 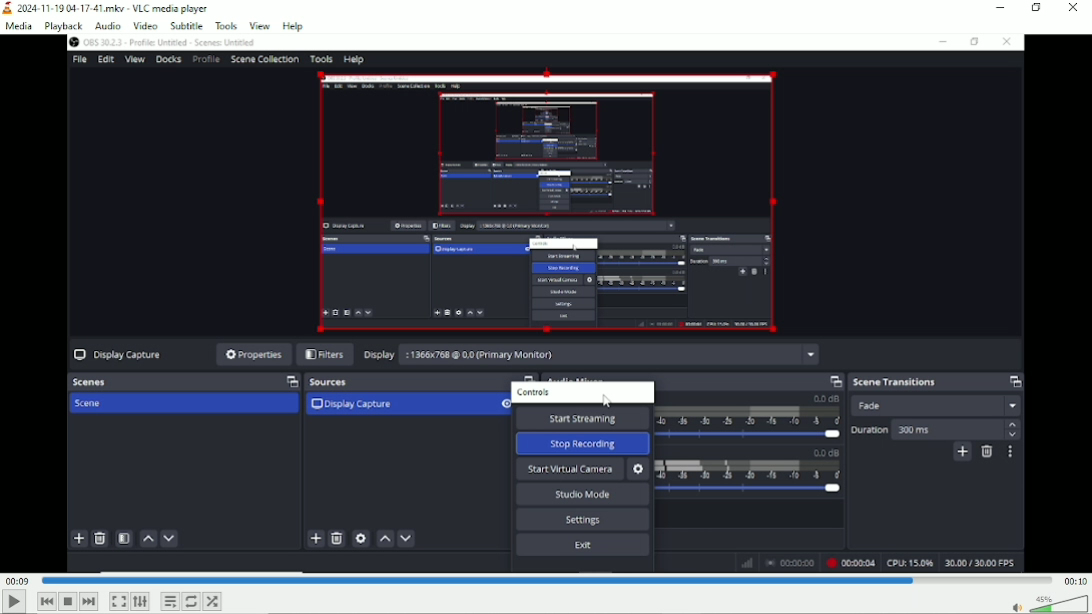 I want to click on view, so click(x=260, y=25).